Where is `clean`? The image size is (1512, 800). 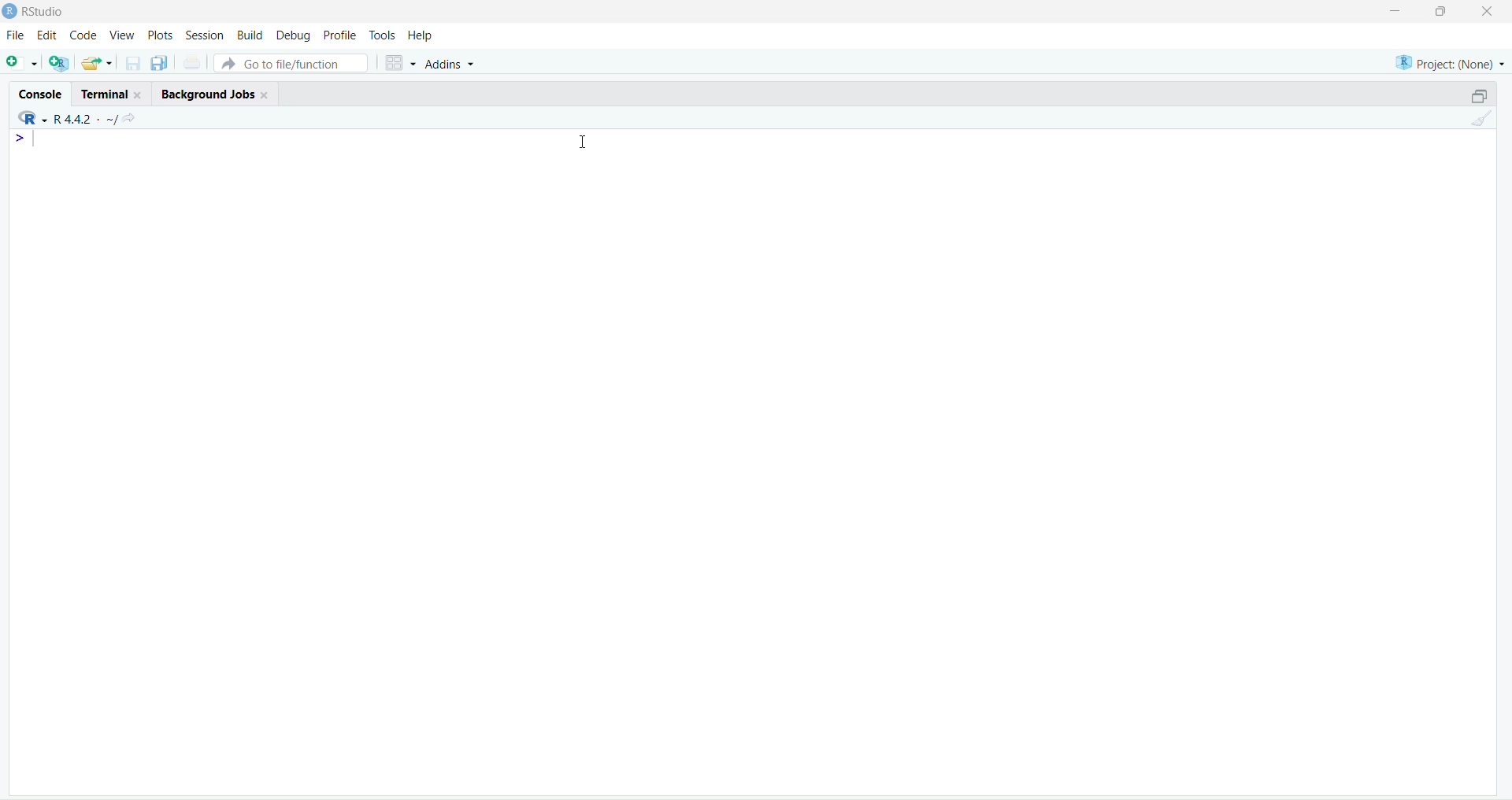
clean is located at coordinates (1484, 118).